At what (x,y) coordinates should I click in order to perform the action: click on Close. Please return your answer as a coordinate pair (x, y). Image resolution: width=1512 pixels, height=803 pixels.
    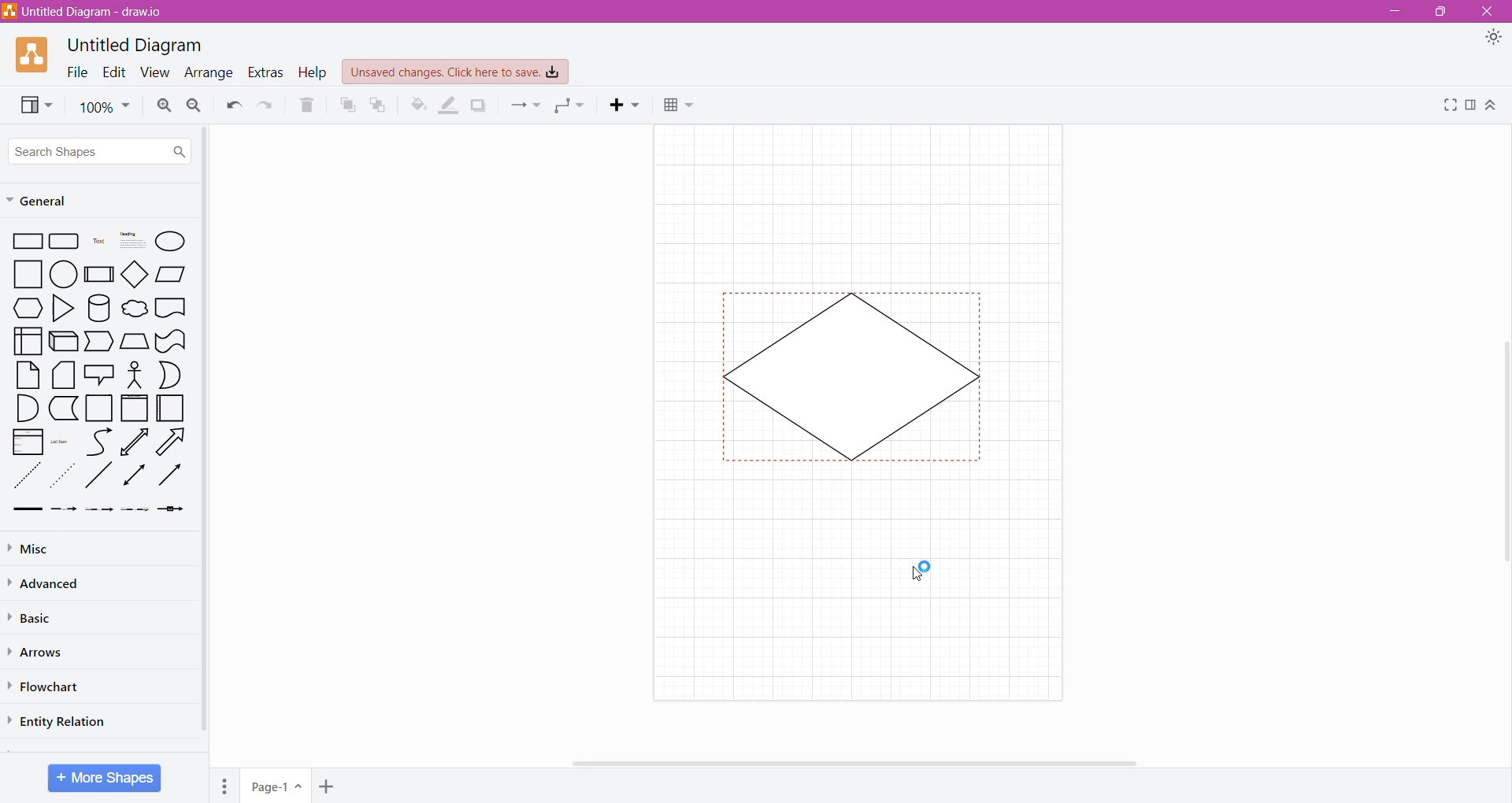
    Looking at the image, I should click on (1490, 10).